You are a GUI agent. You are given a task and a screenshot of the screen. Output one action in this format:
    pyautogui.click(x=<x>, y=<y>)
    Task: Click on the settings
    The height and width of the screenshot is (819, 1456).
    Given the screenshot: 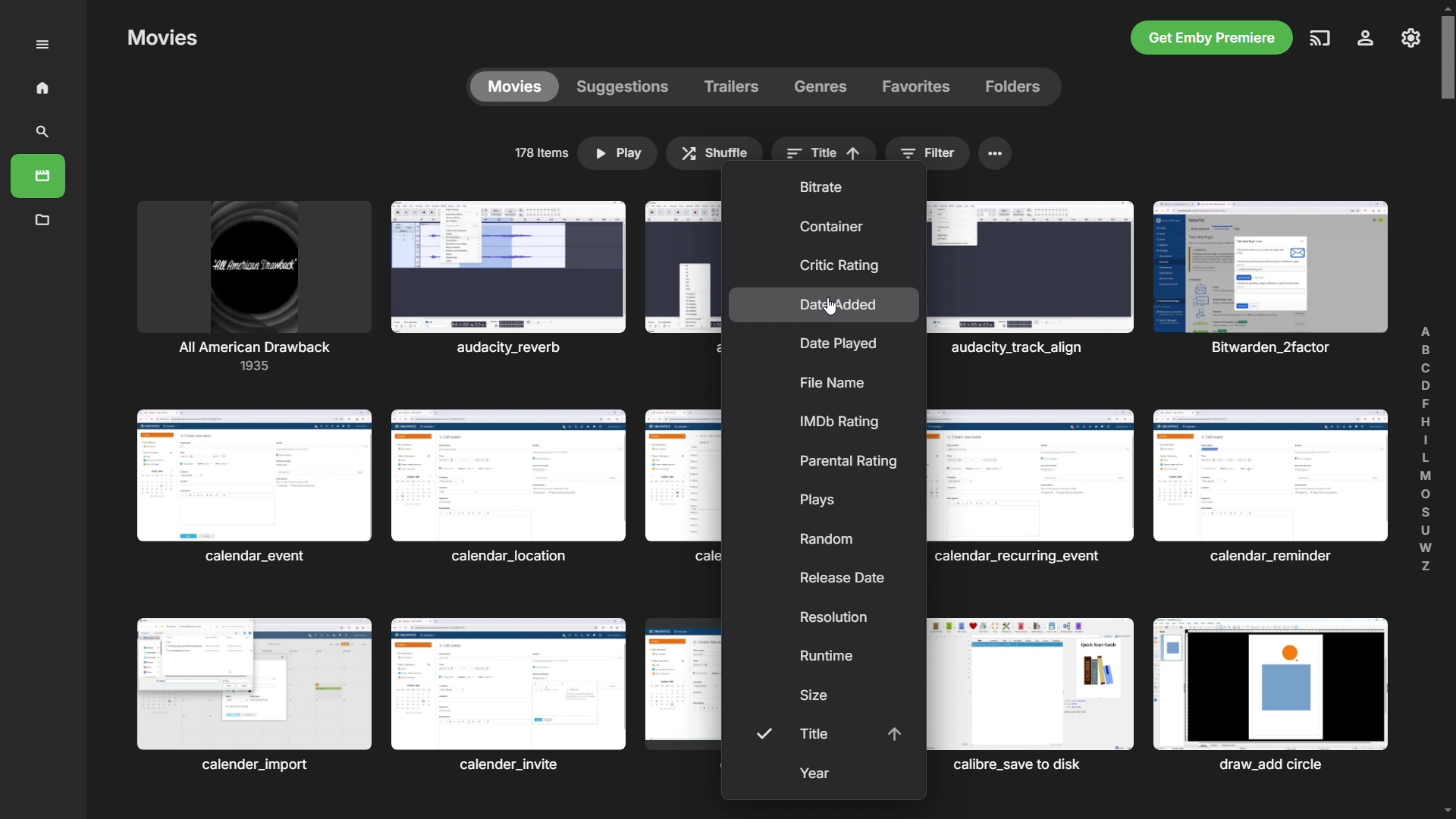 What is the action you would take?
    pyautogui.click(x=1410, y=37)
    